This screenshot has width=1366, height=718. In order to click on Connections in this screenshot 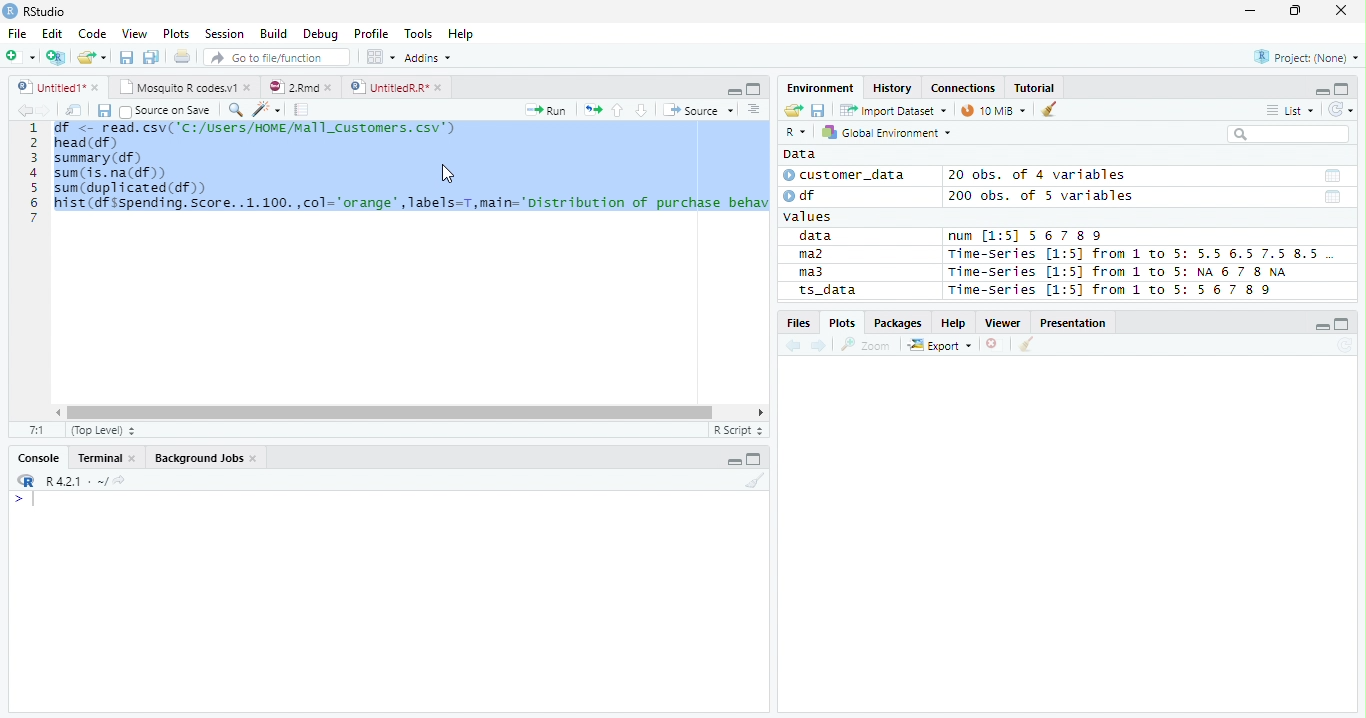, I will do `click(963, 88)`.